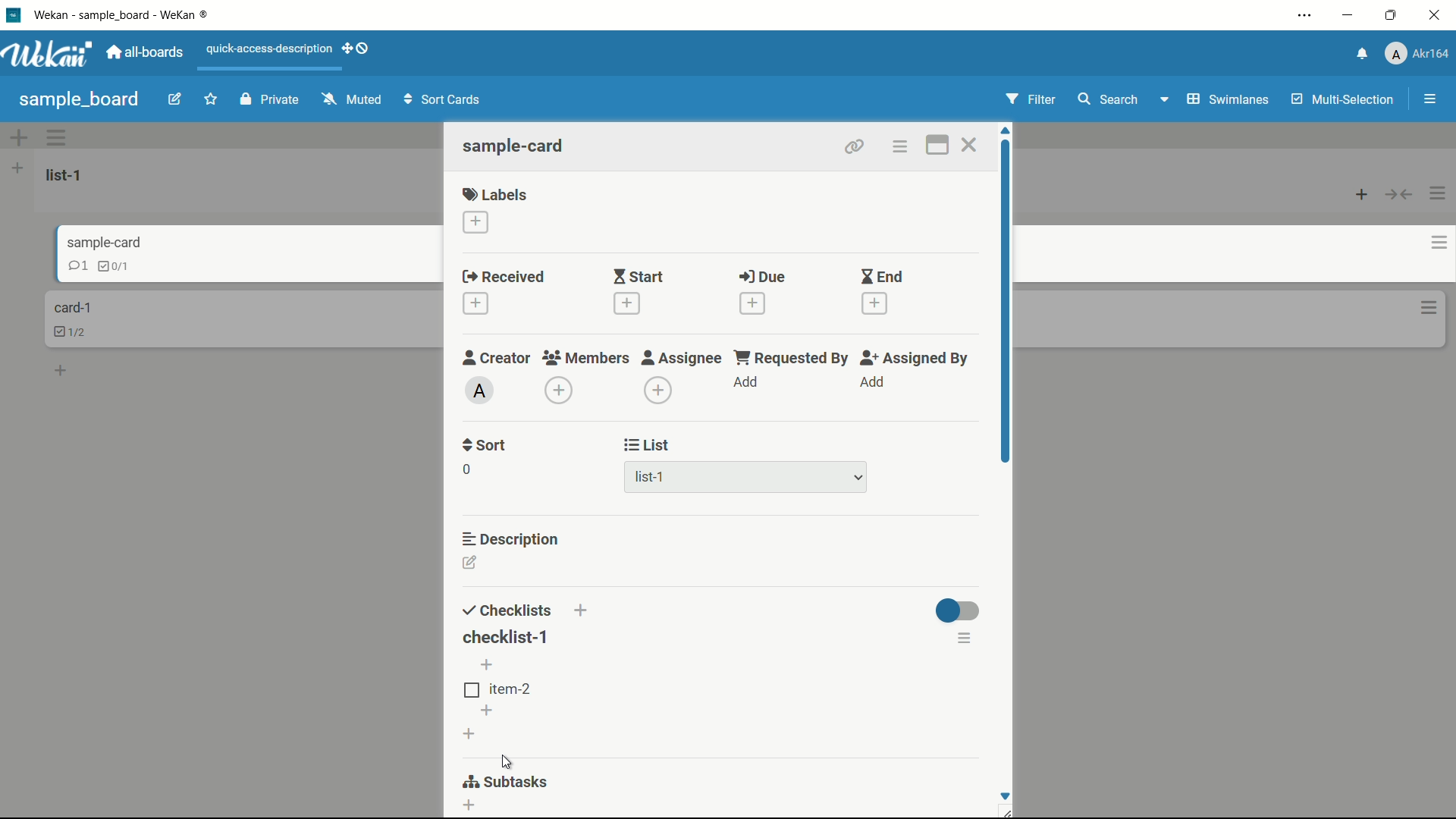 This screenshot has height=819, width=1456. I want to click on board name, so click(79, 101).